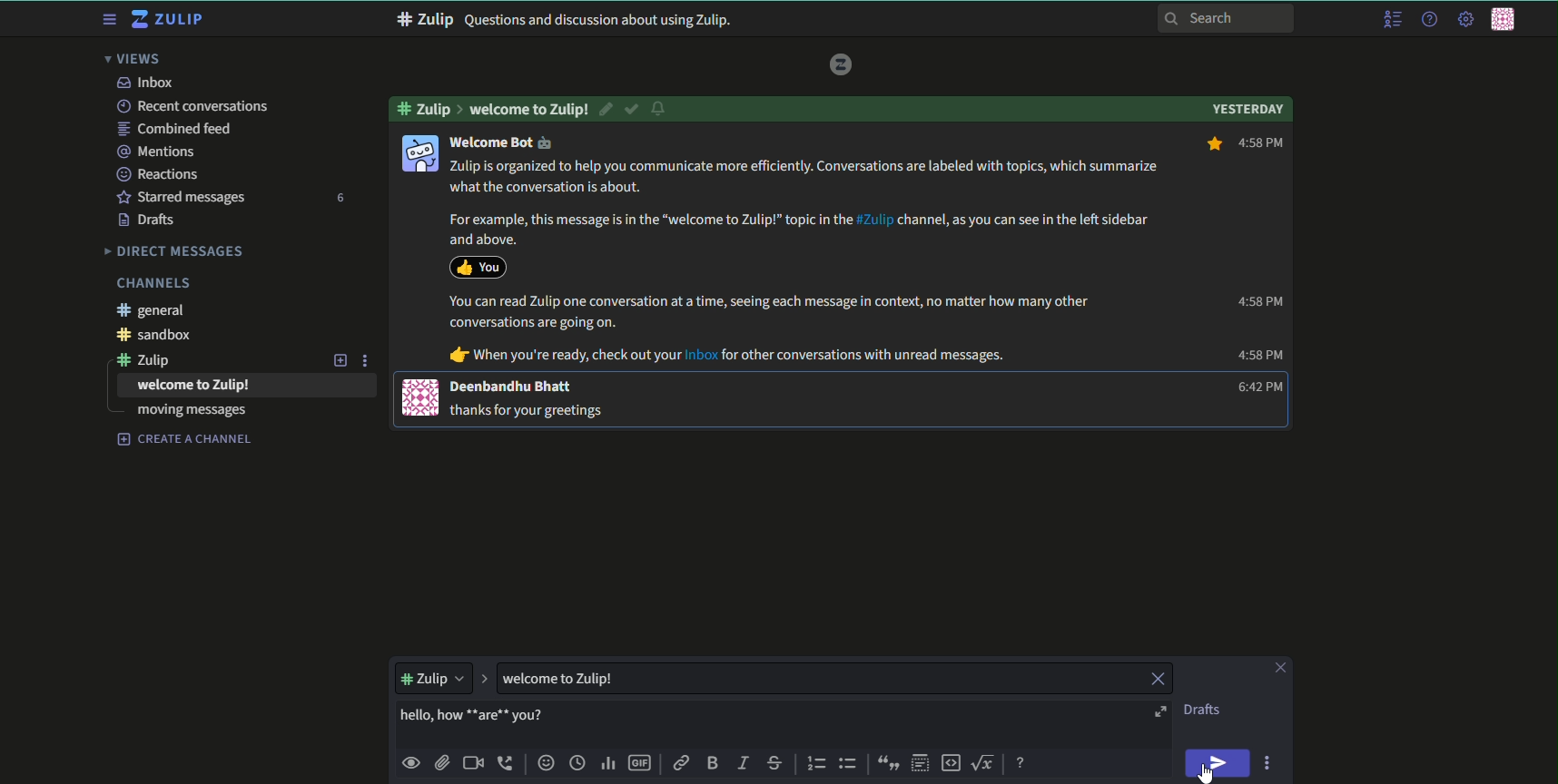 This screenshot has height=784, width=1558. I want to click on personal menu, so click(1506, 21).